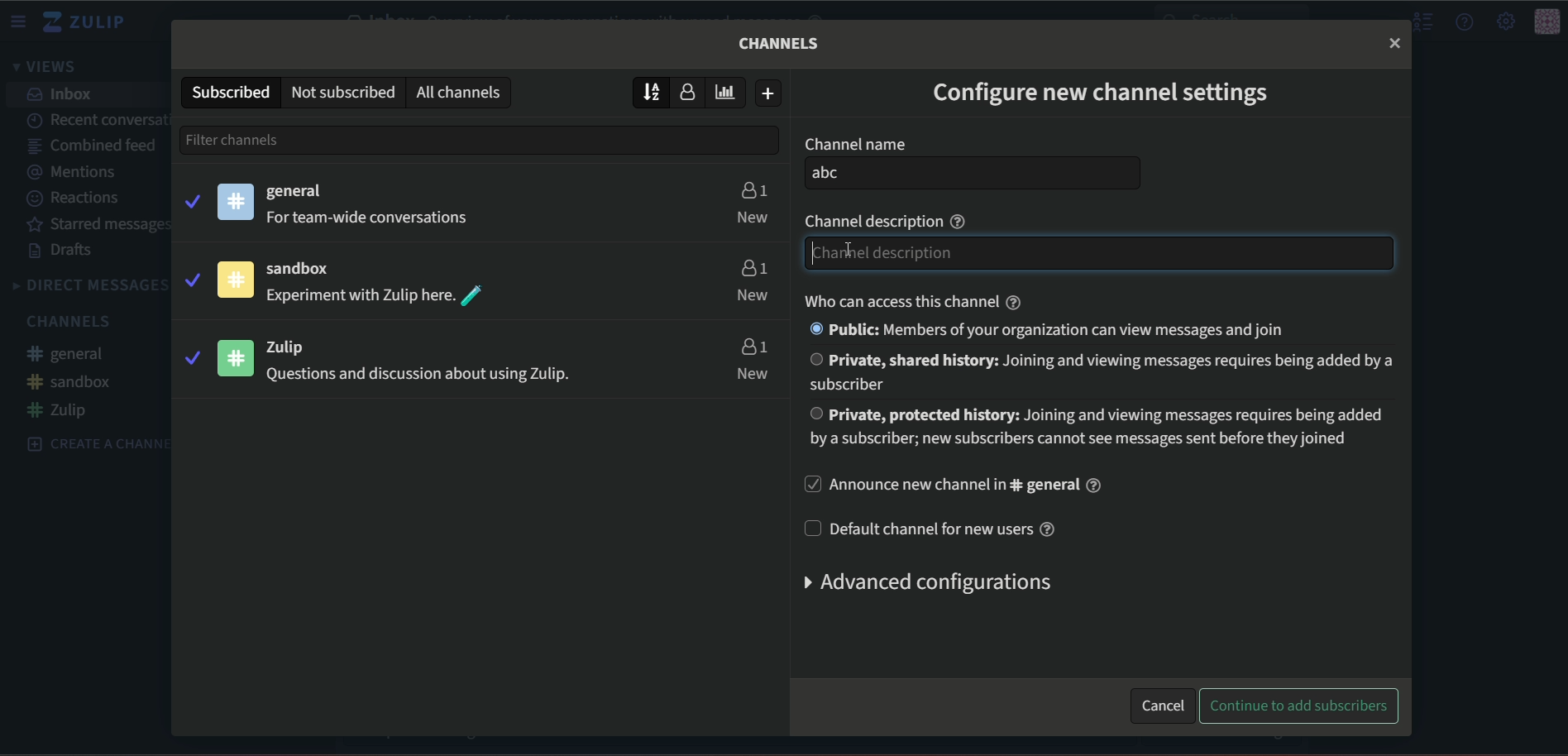 Image resolution: width=1568 pixels, height=756 pixels. What do you see at coordinates (50, 68) in the screenshot?
I see `views` at bounding box center [50, 68].